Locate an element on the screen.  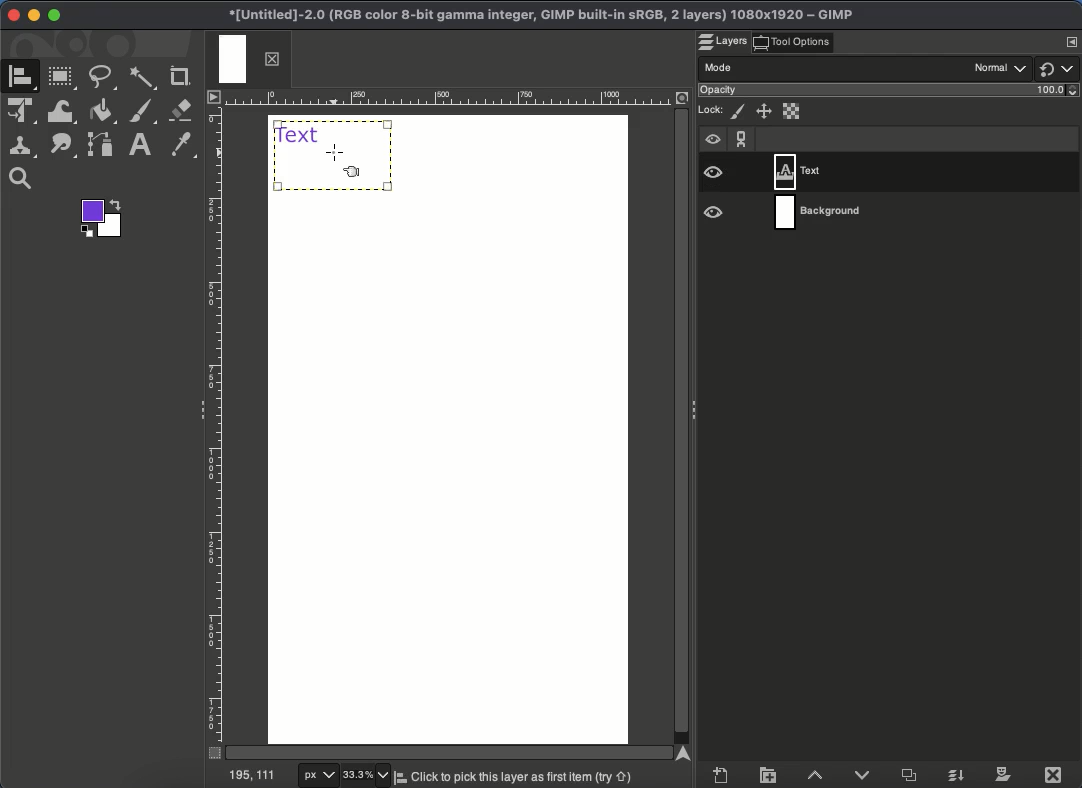
Menu is located at coordinates (1071, 42).